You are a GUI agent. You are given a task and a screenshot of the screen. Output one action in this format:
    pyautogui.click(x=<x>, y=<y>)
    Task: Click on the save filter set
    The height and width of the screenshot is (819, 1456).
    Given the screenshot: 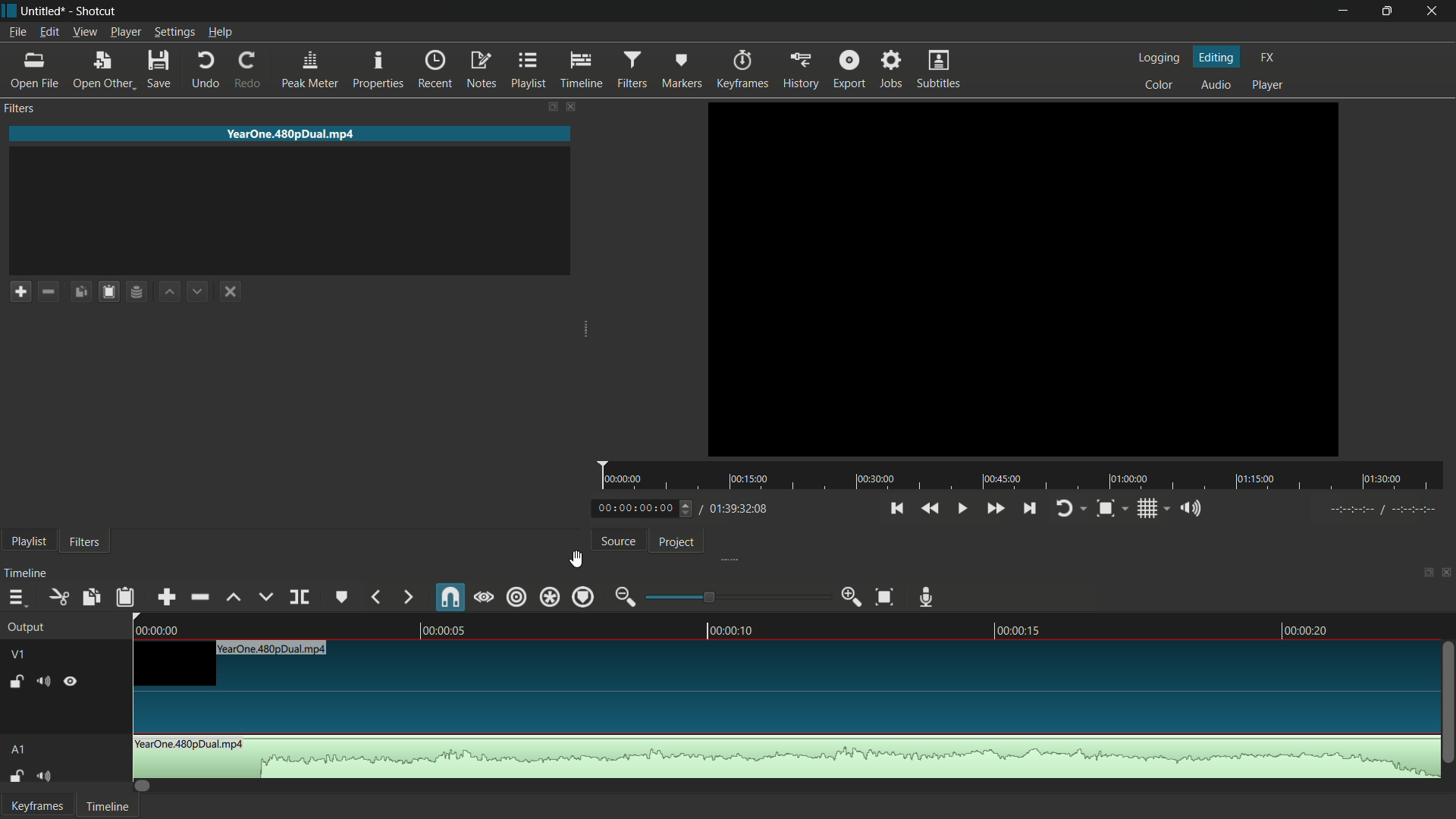 What is the action you would take?
    pyautogui.click(x=138, y=292)
    